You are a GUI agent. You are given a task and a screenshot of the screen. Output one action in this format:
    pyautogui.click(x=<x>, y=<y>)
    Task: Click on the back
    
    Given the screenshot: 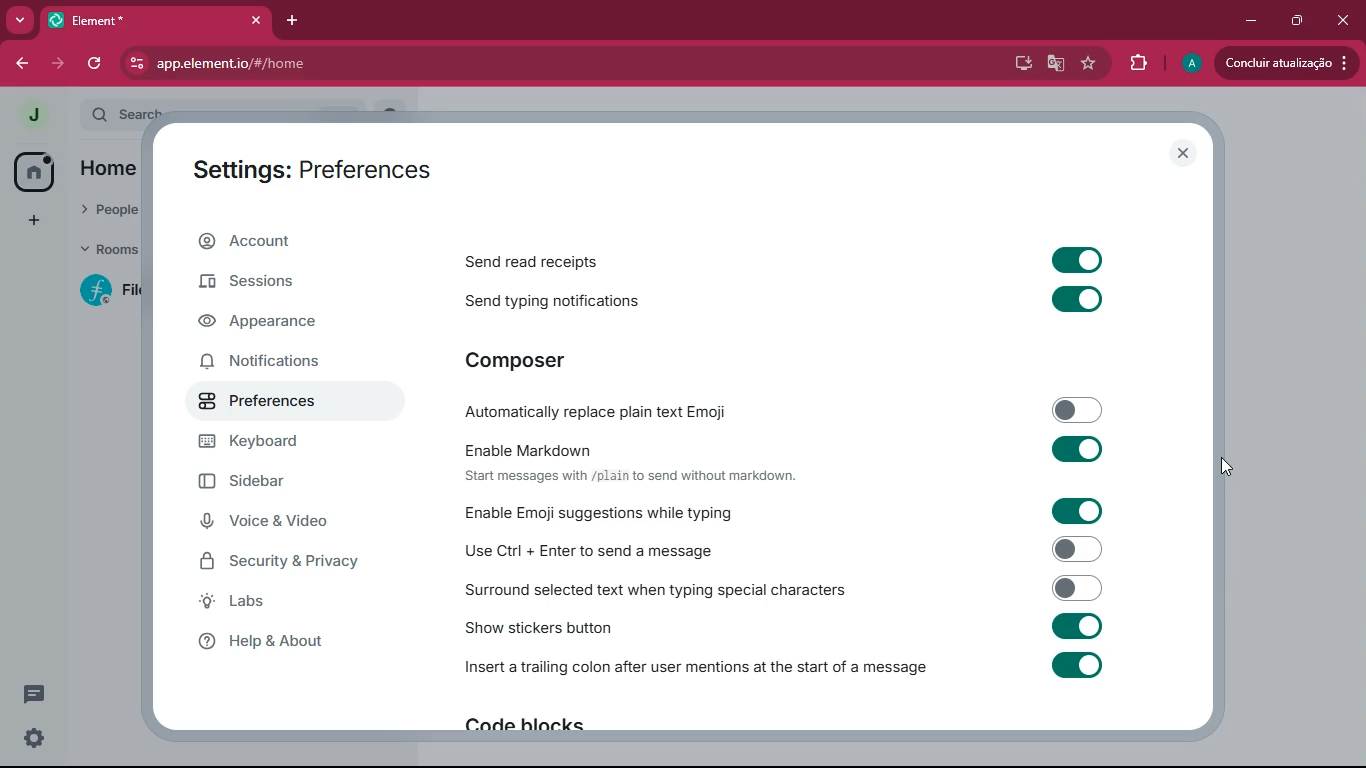 What is the action you would take?
    pyautogui.click(x=25, y=64)
    